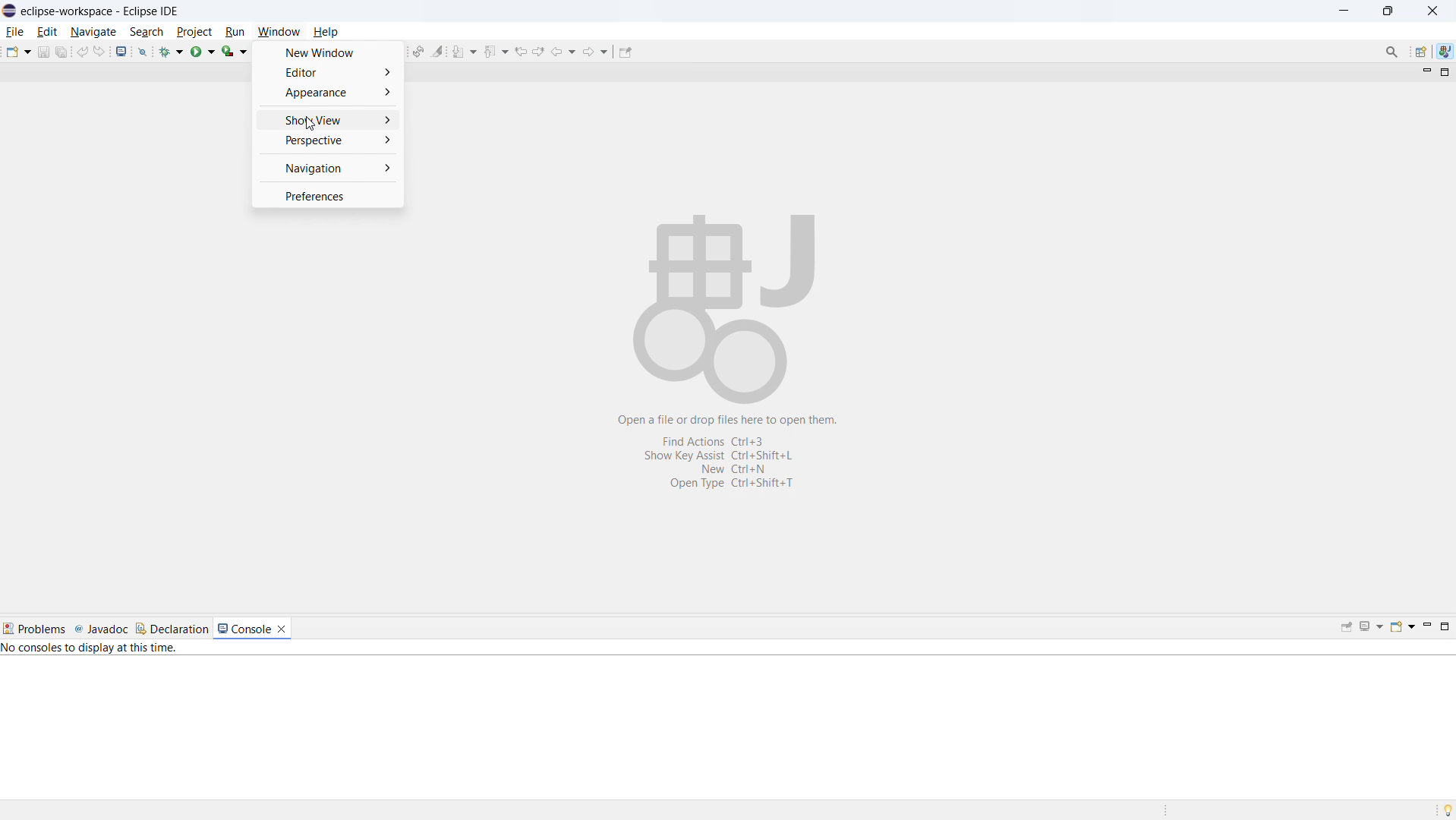 The height and width of the screenshot is (820, 1456). Describe the element at coordinates (281, 629) in the screenshot. I see `close console` at that location.